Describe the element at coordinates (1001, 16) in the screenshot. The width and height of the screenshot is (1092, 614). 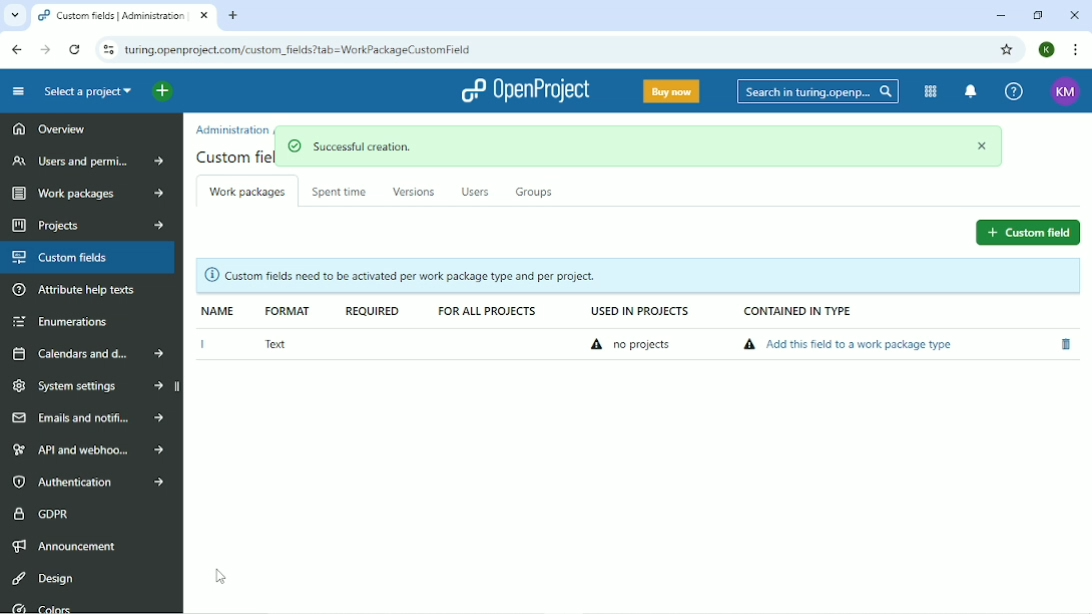
I see `Minimize` at that location.